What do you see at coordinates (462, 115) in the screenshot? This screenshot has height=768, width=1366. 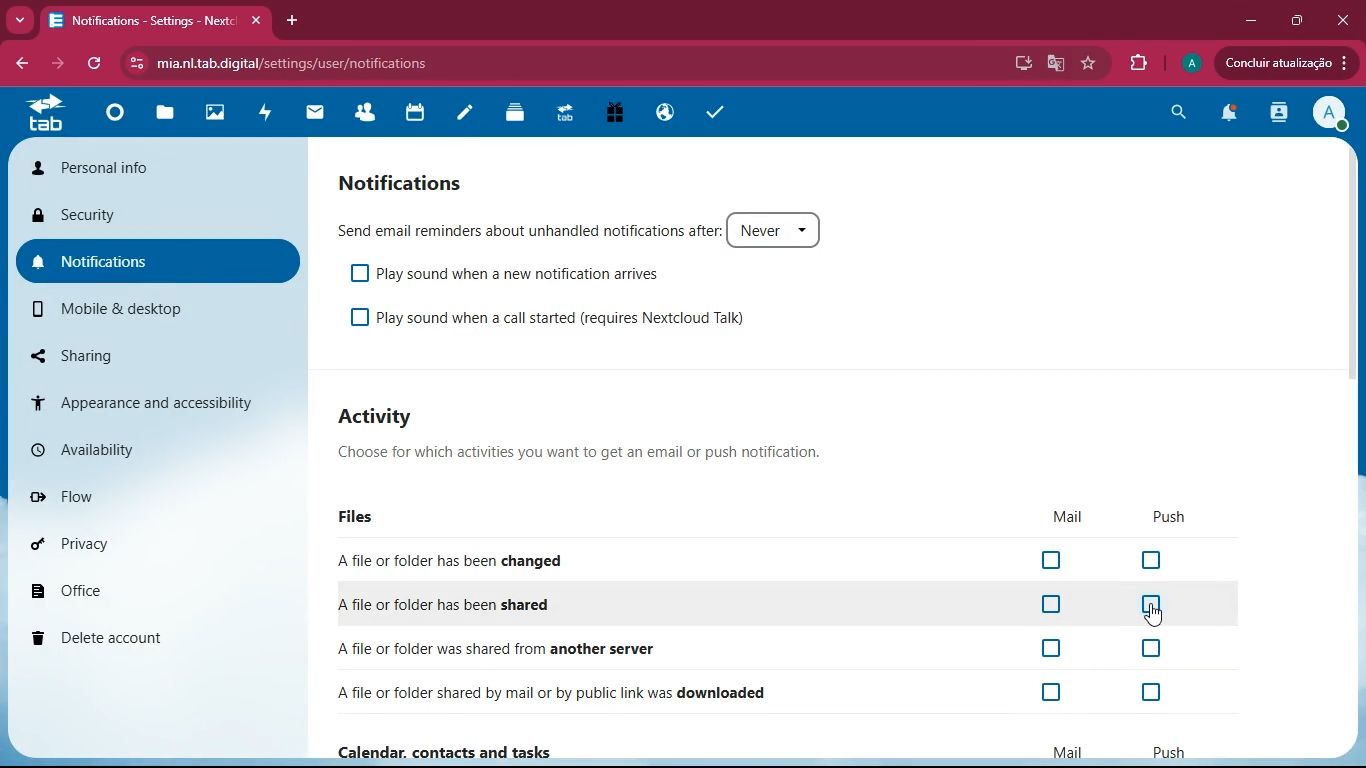 I see `notes` at bounding box center [462, 115].